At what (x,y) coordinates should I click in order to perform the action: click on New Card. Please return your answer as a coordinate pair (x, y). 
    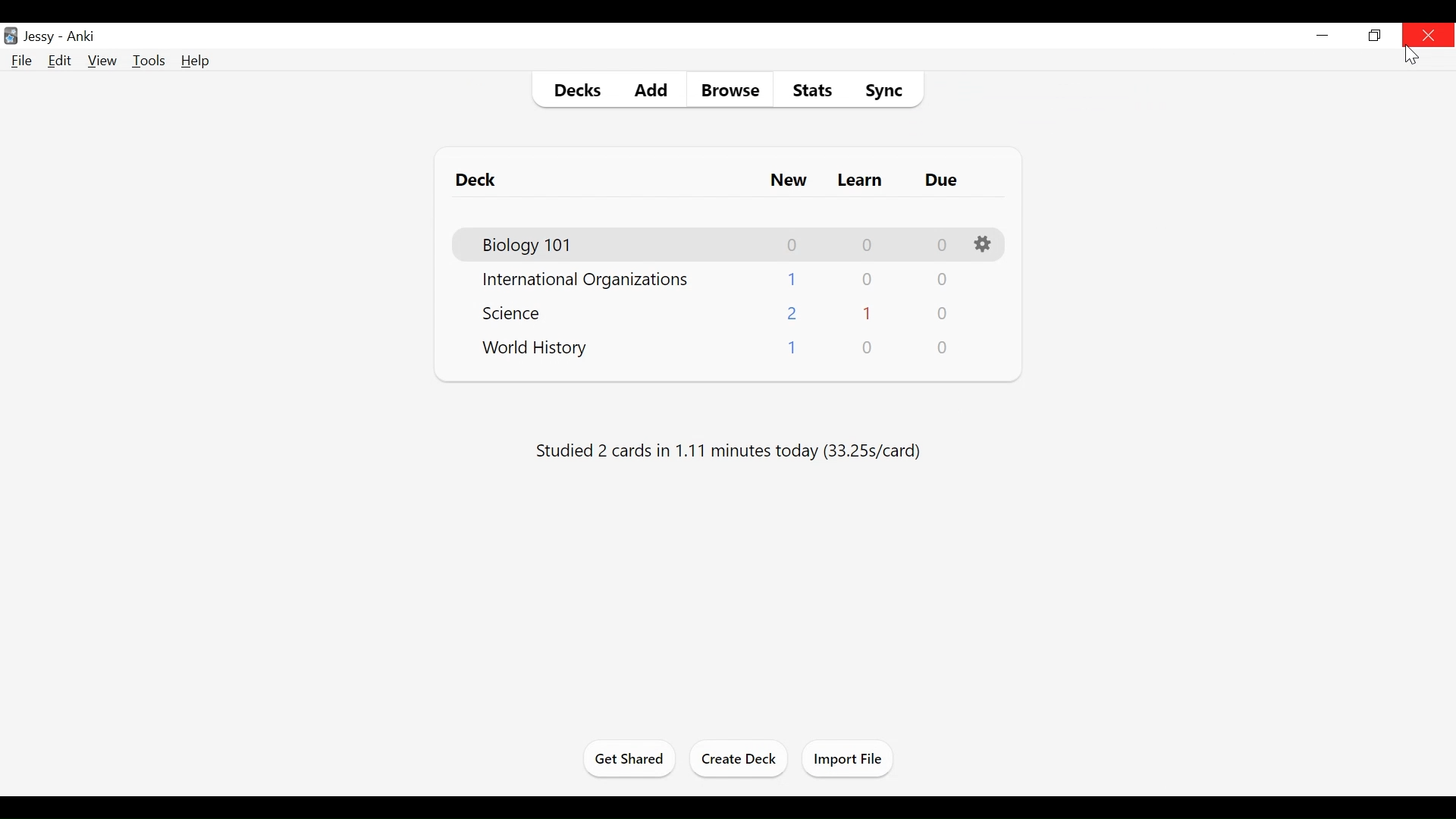
    Looking at the image, I should click on (789, 180).